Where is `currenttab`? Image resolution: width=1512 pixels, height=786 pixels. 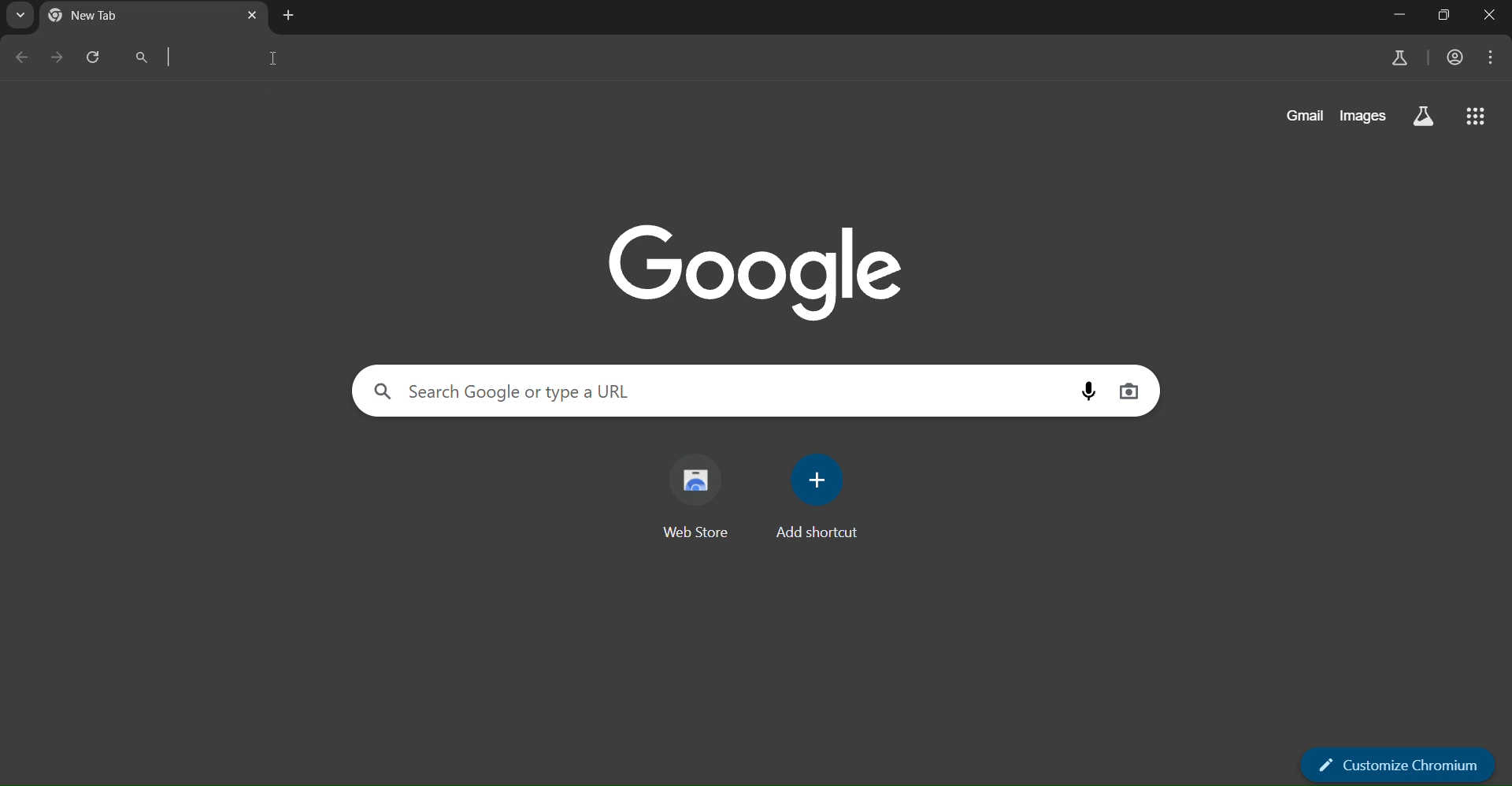
currenttab is located at coordinates (100, 15).